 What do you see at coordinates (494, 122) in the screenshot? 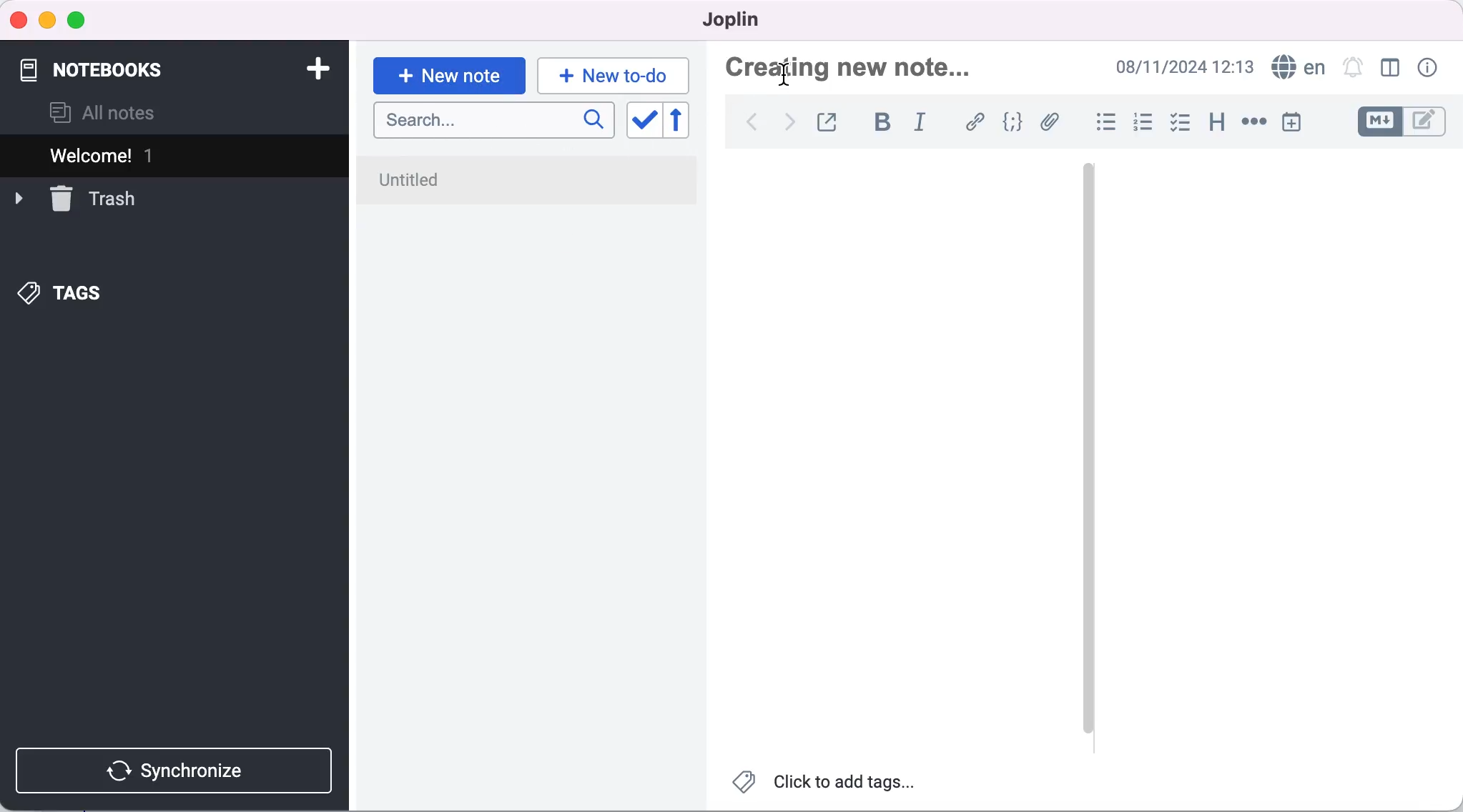
I see `search` at bounding box center [494, 122].